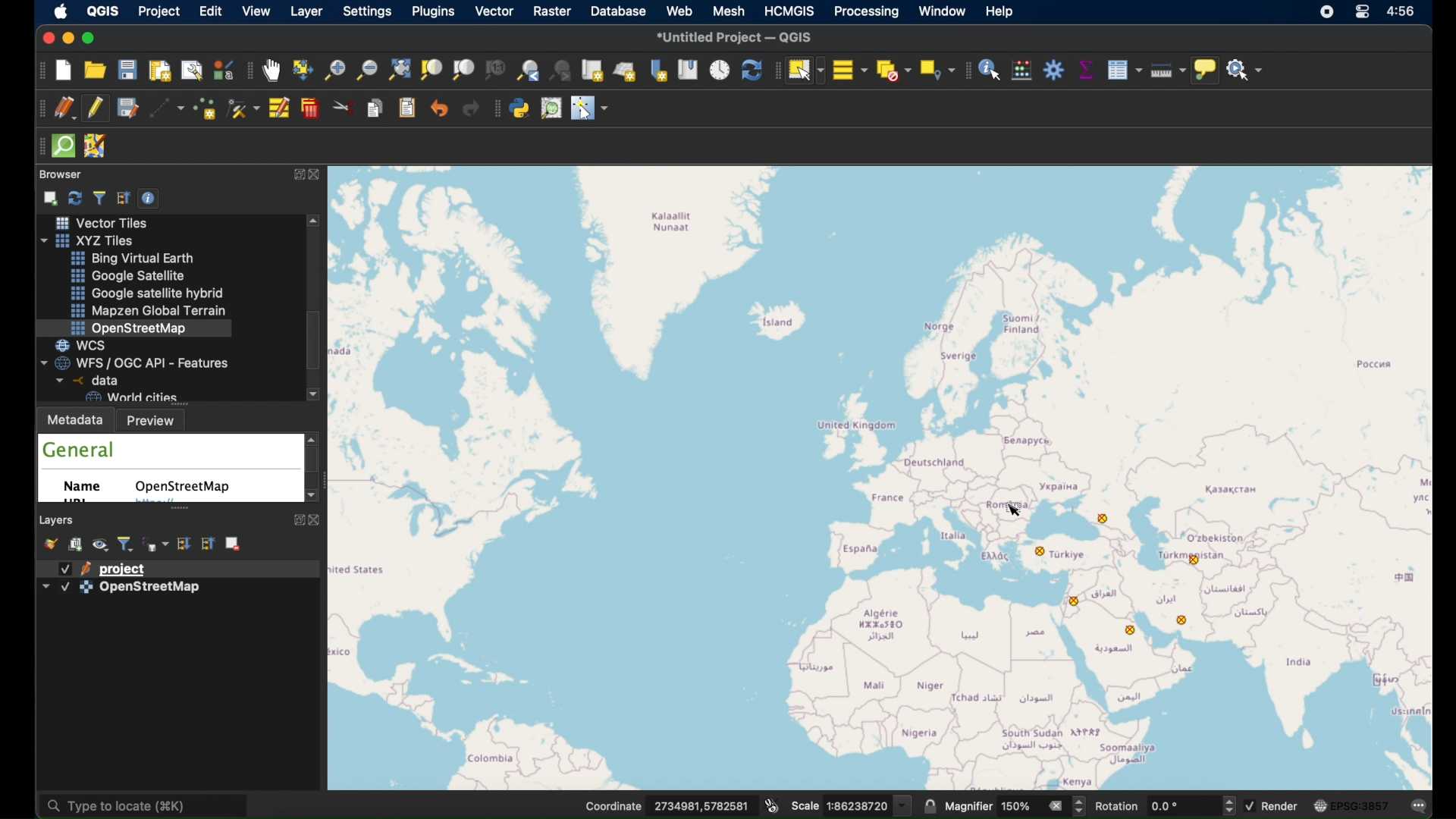  What do you see at coordinates (93, 38) in the screenshot?
I see `maximize` at bounding box center [93, 38].